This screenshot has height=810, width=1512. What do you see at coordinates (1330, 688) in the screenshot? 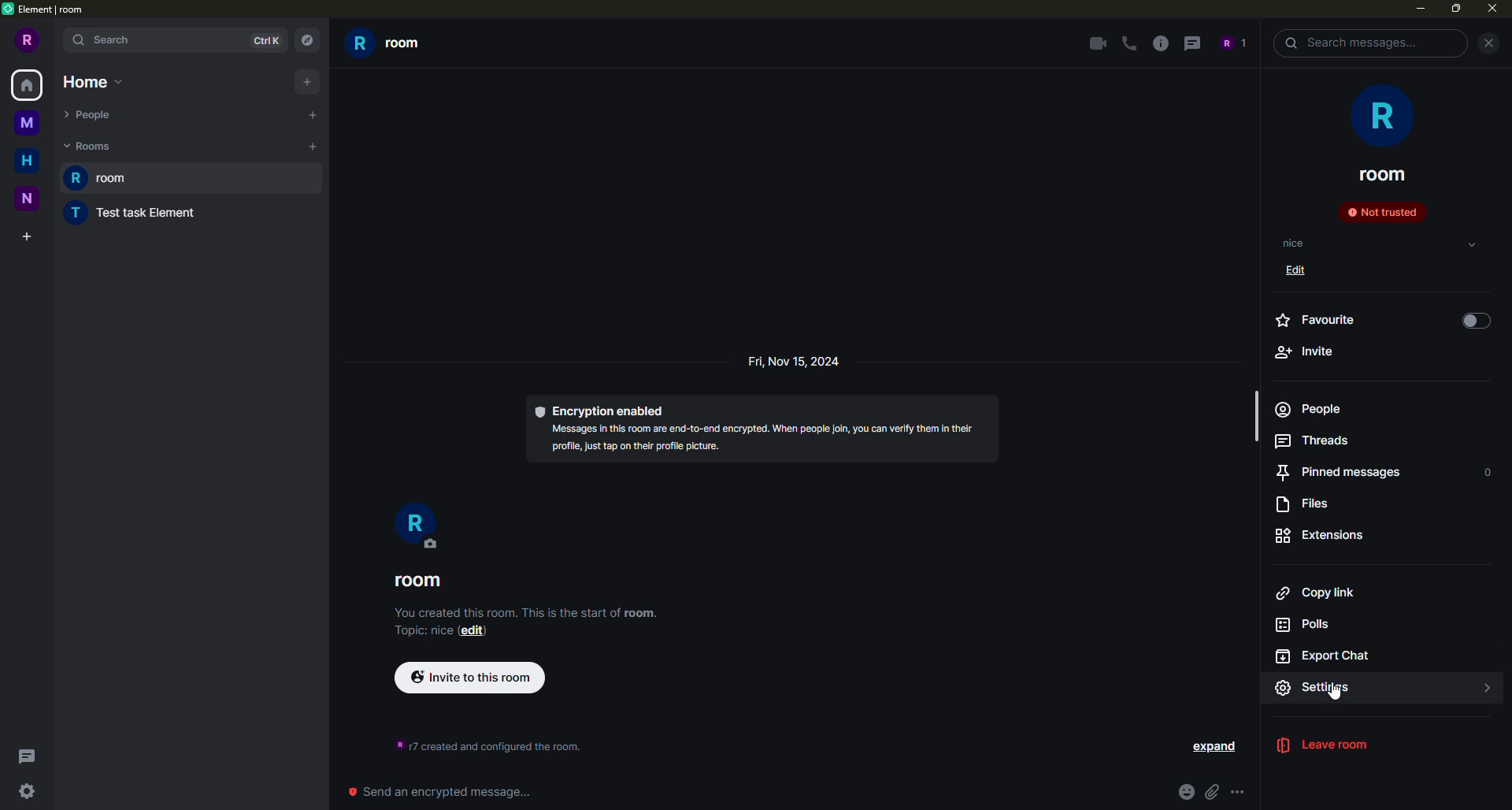
I see `settings` at bounding box center [1330, 688].